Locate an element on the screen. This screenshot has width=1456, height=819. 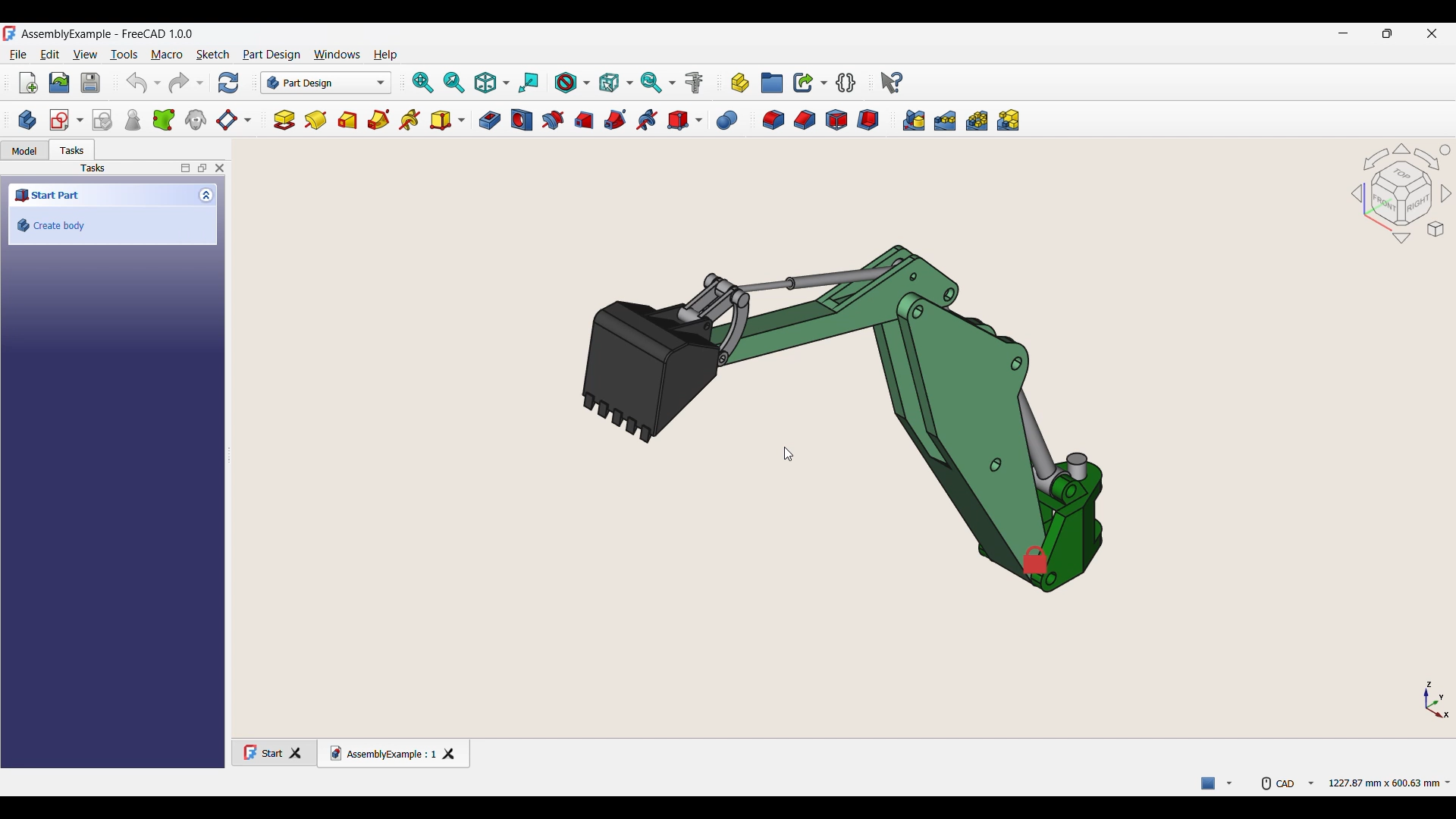
Revolution is located at coordinates (315, 121).